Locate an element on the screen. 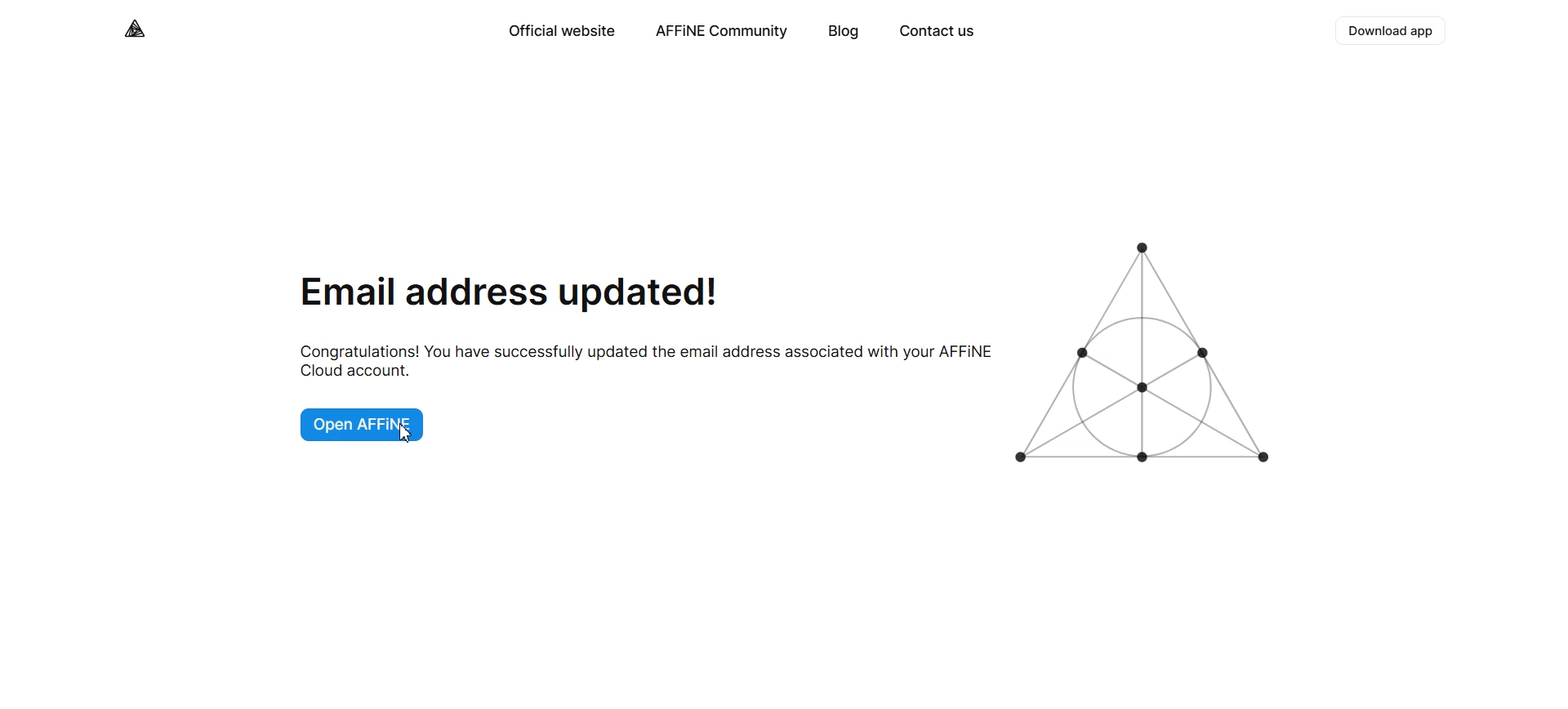  Official website is located at coordinates (560, 31).